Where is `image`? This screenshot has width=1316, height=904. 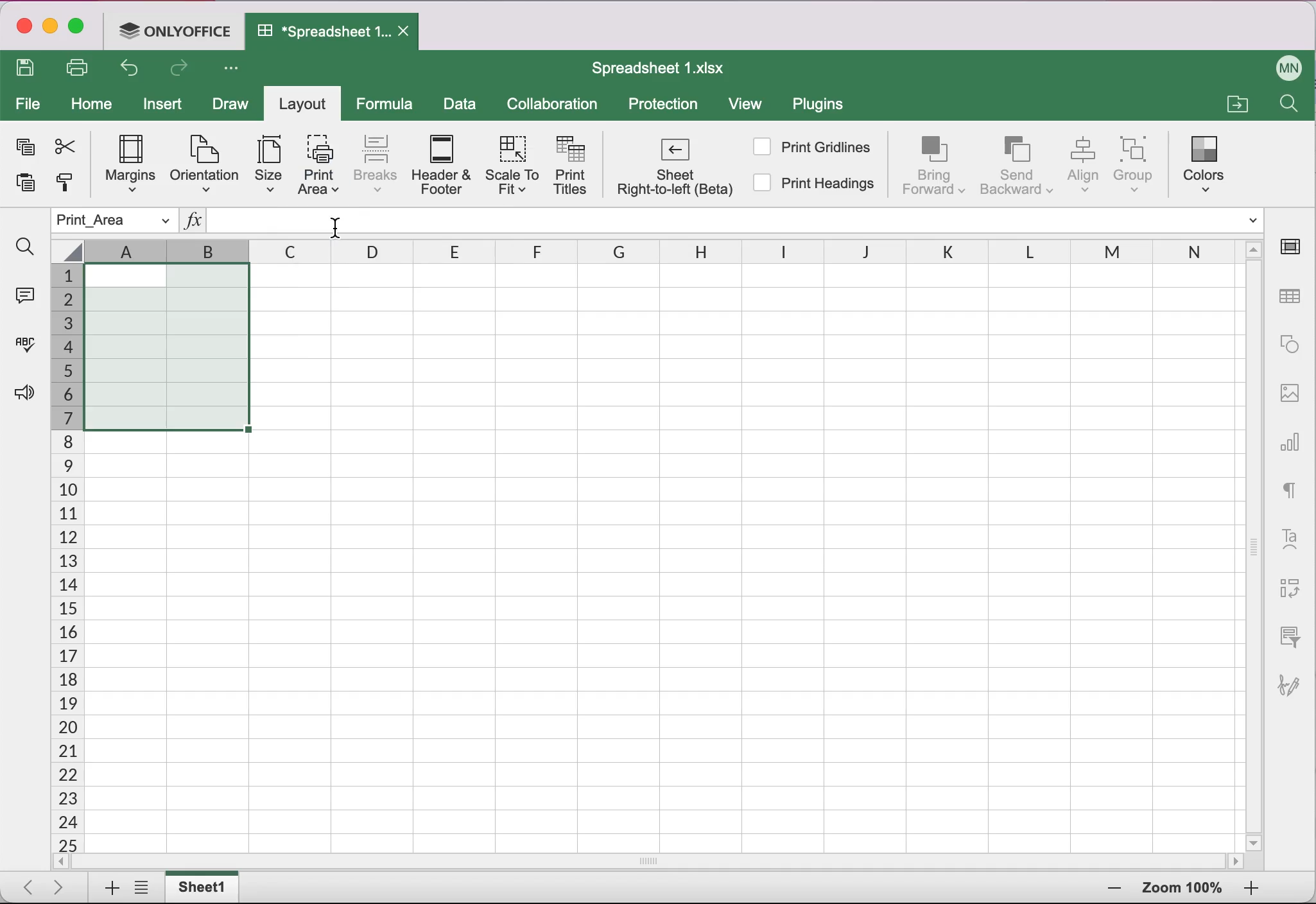 image is located at coordinates (1290, 391).